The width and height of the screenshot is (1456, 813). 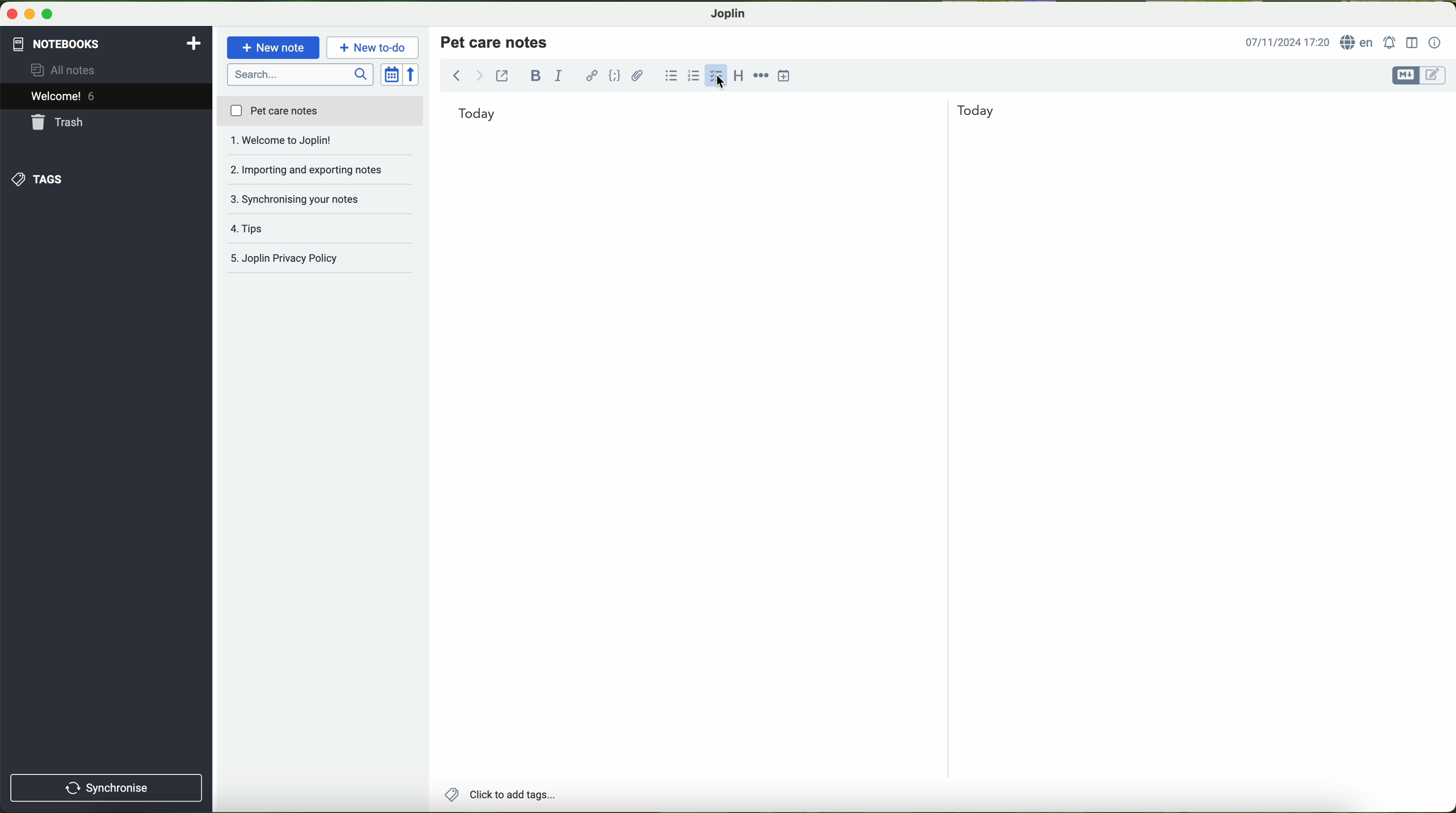 I want to click on joplin privacy policy, so click(x=314, y=260).